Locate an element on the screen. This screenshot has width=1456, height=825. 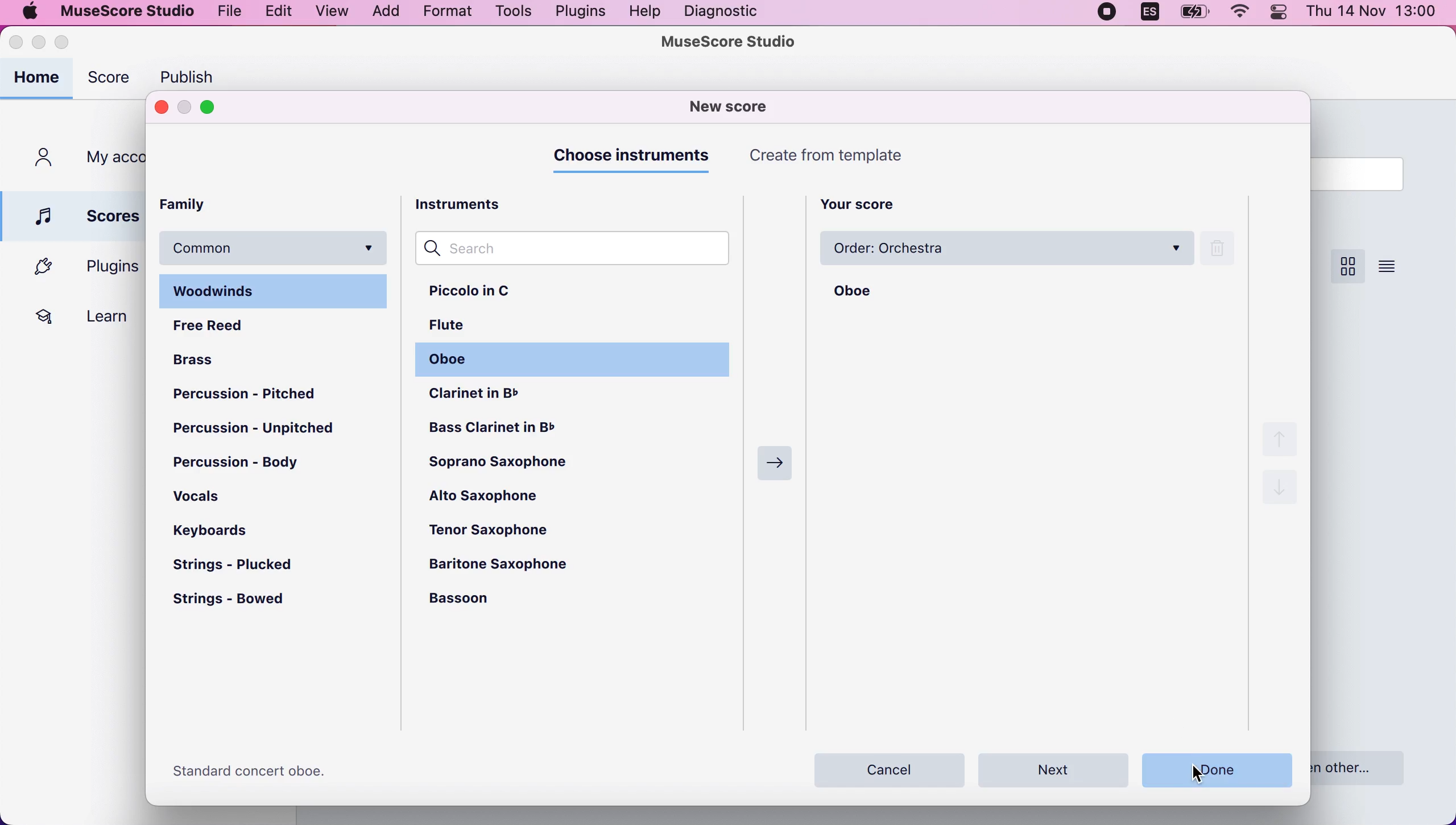
close is located at coordinates (17, 44).